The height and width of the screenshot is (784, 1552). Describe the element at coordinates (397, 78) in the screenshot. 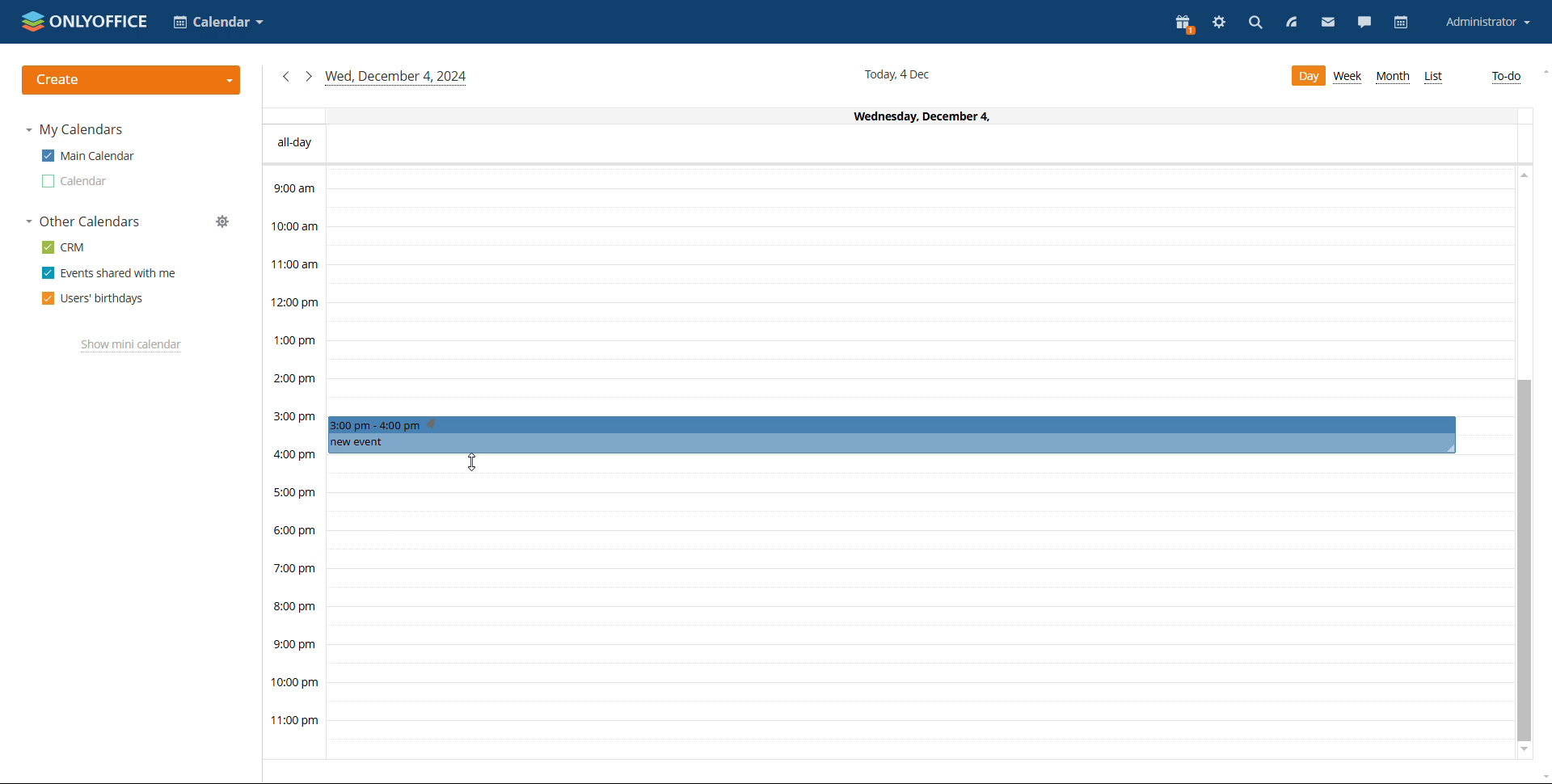

I see `today` at that location.